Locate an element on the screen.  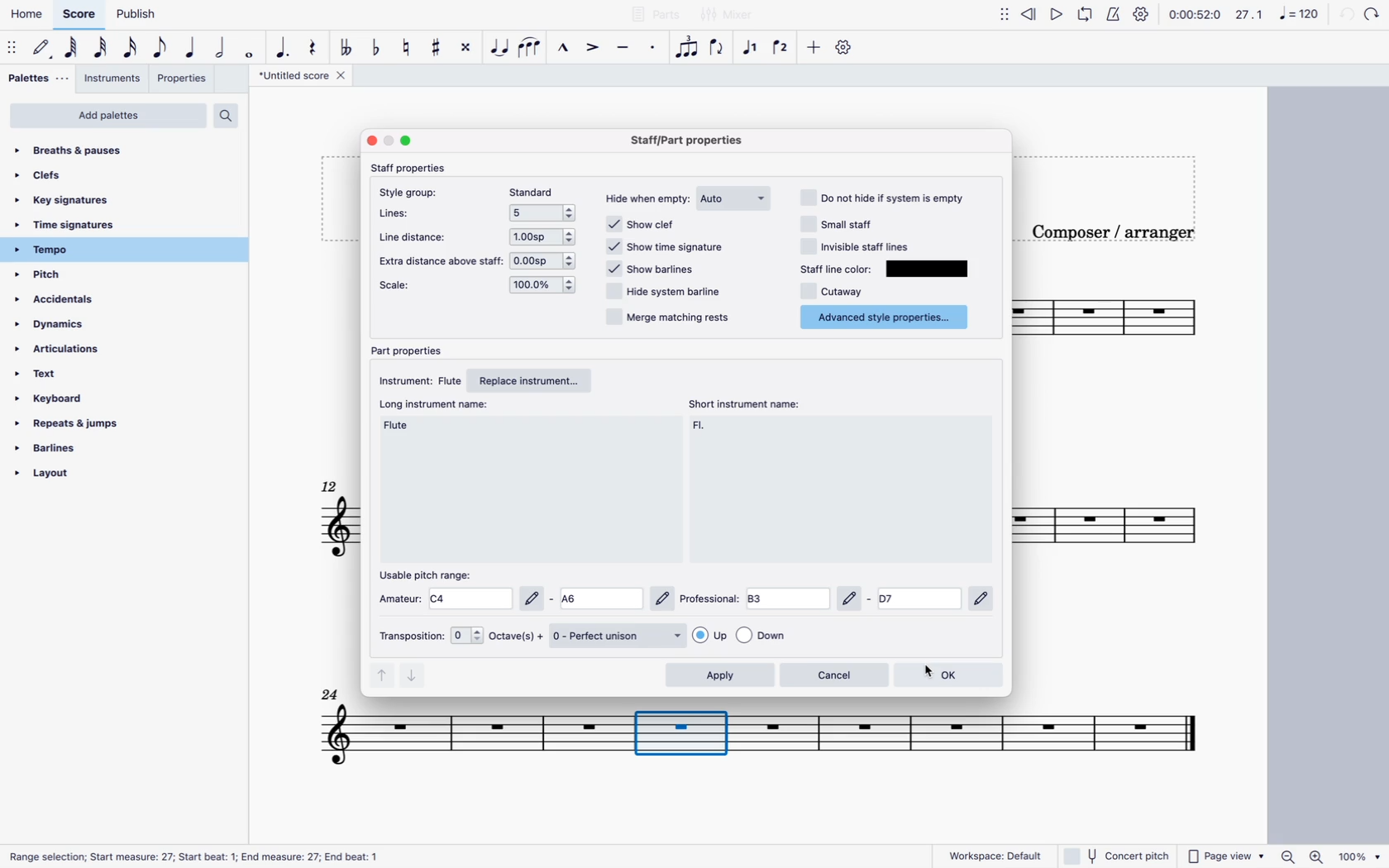
play is located at coordinates (1055, 14).